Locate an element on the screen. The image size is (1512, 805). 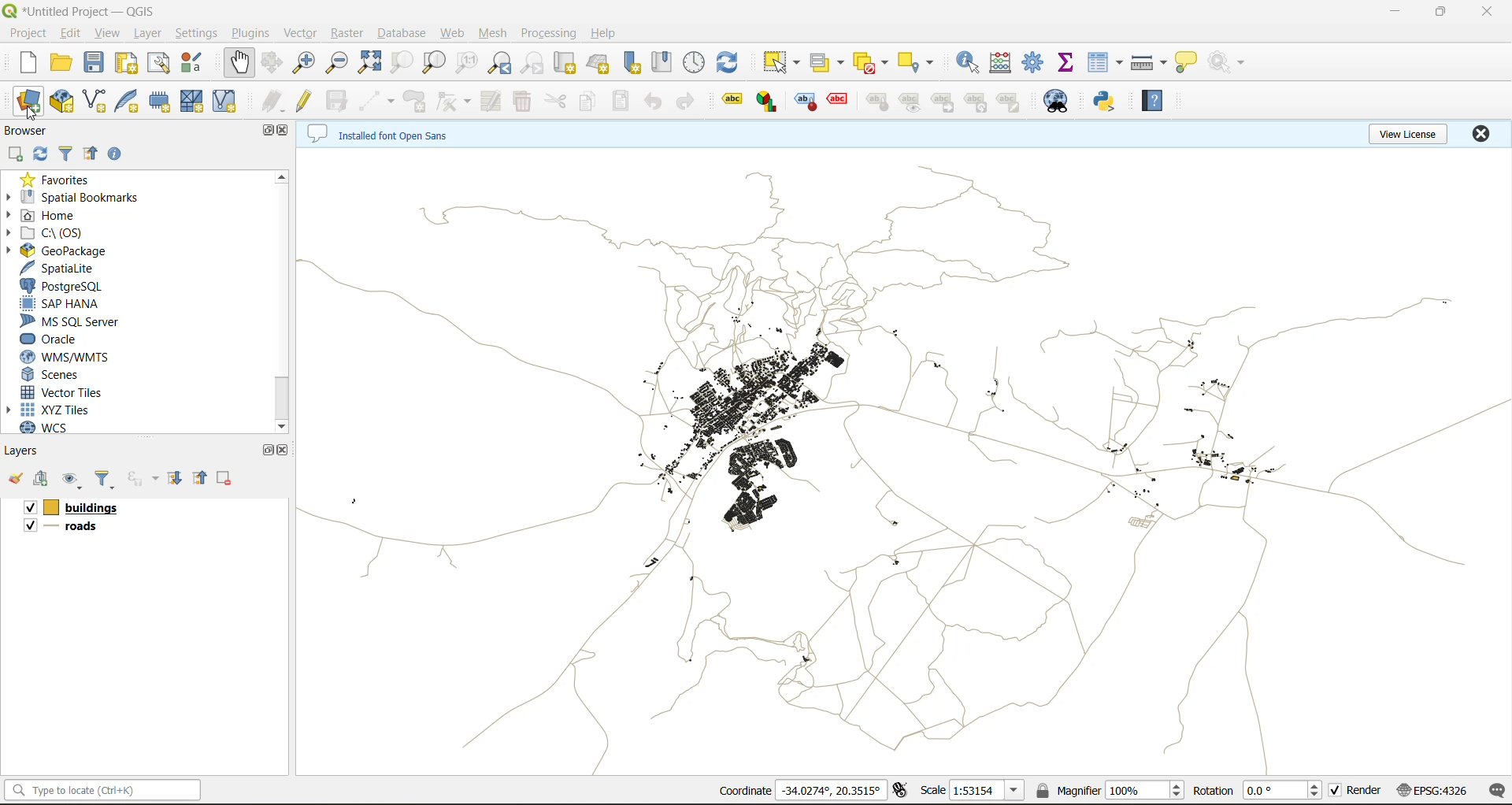
sap hana is located at coordinates (61, 304).